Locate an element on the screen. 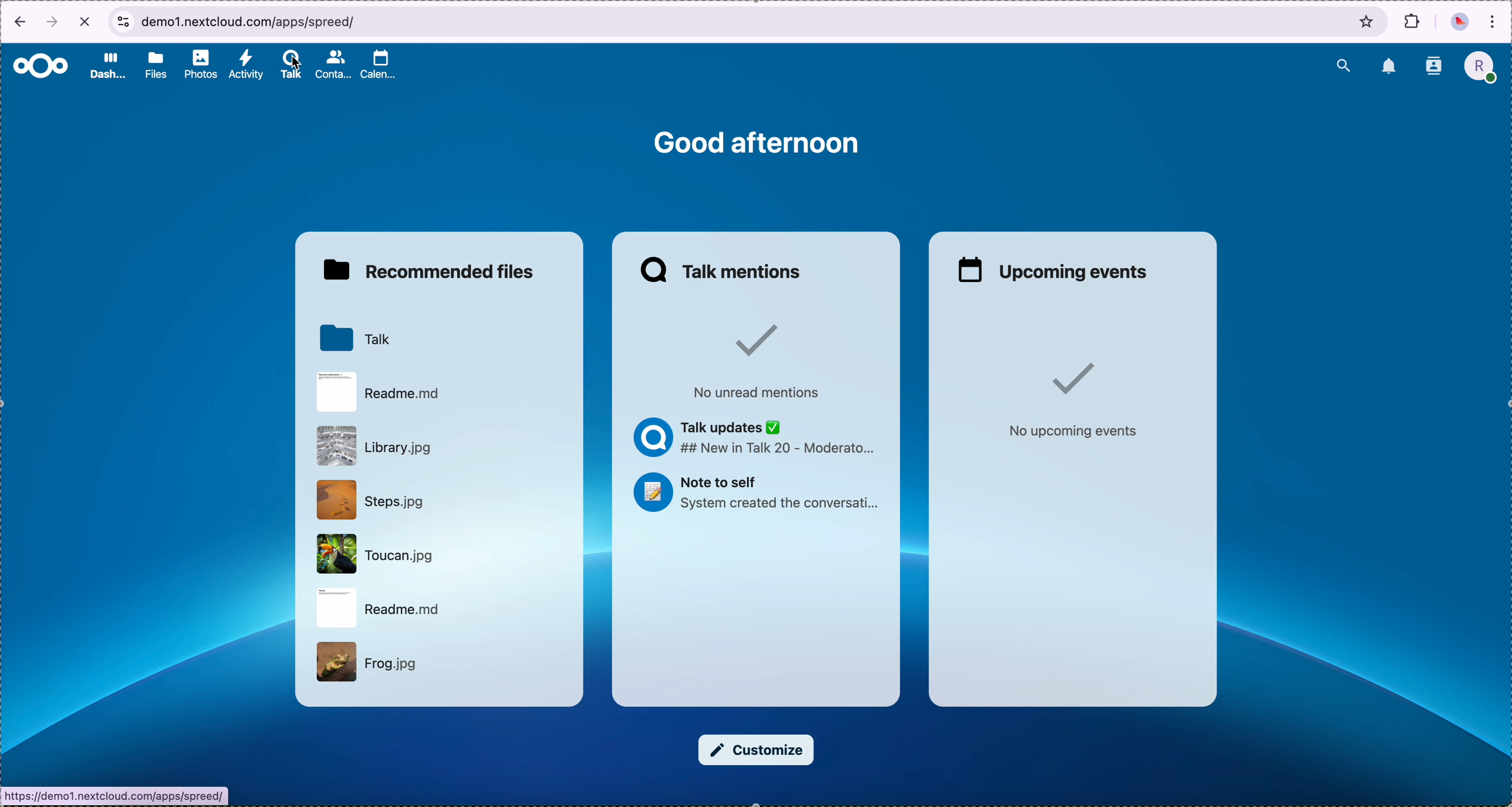 Image resolution: width=1512 pixels, height=807 pixels. Readme.md is located at coordinates (436, 391).